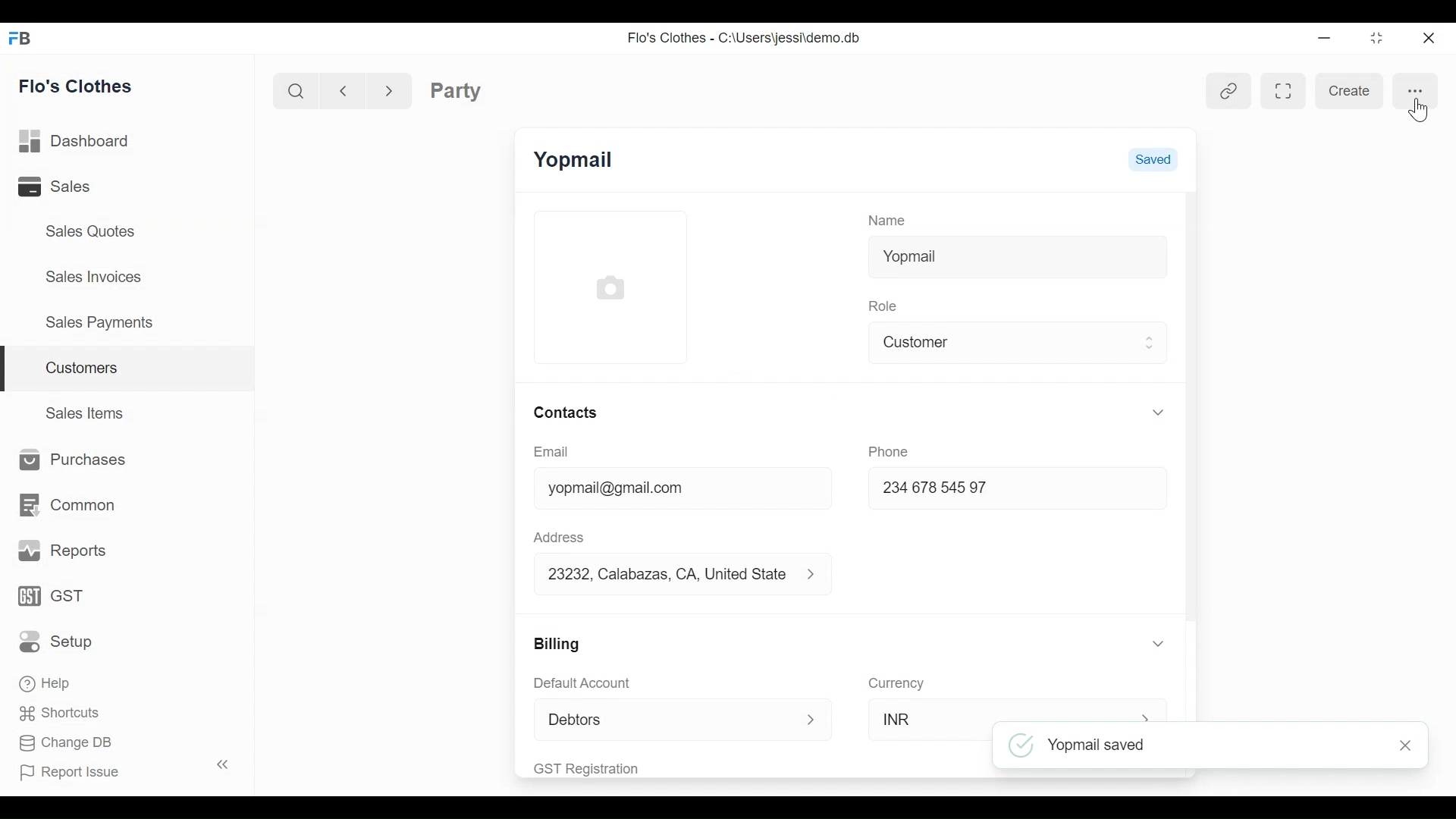 The image size is (1456, 819). I want to click on Reports, so click(64, 551).